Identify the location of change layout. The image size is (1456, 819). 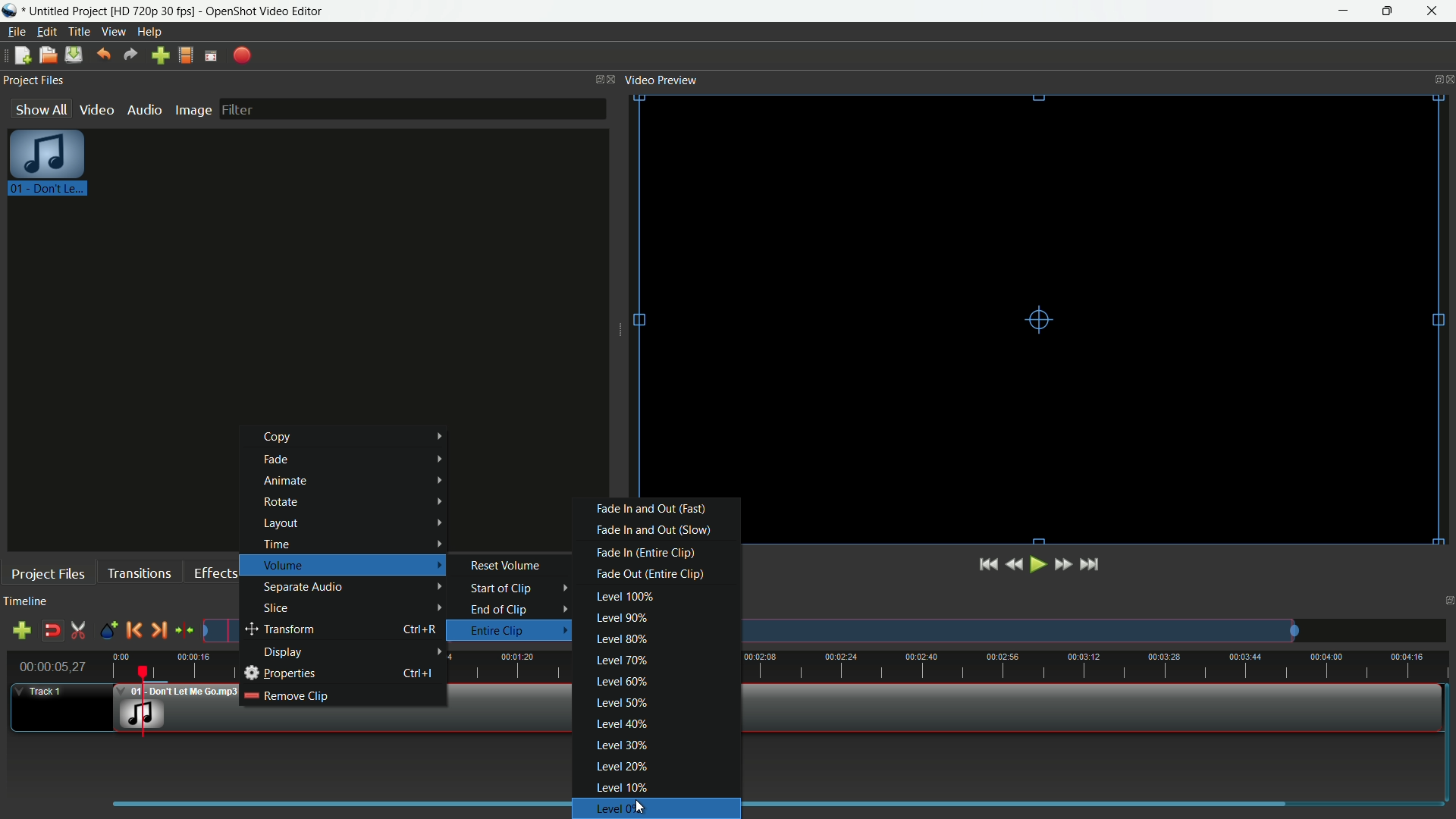
(595, 78).